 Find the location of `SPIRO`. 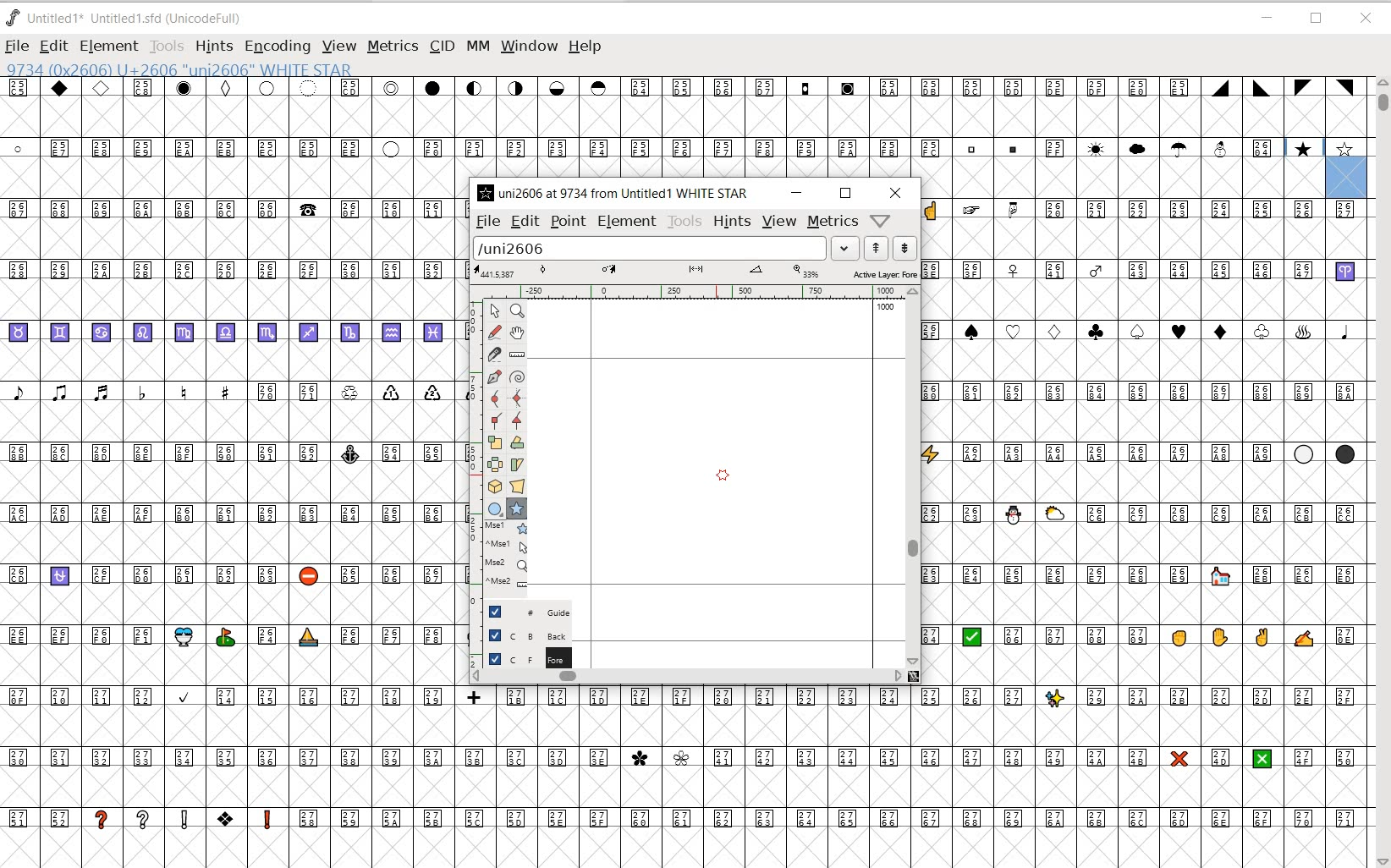

SPIRO is located at coordinates (518, 377).